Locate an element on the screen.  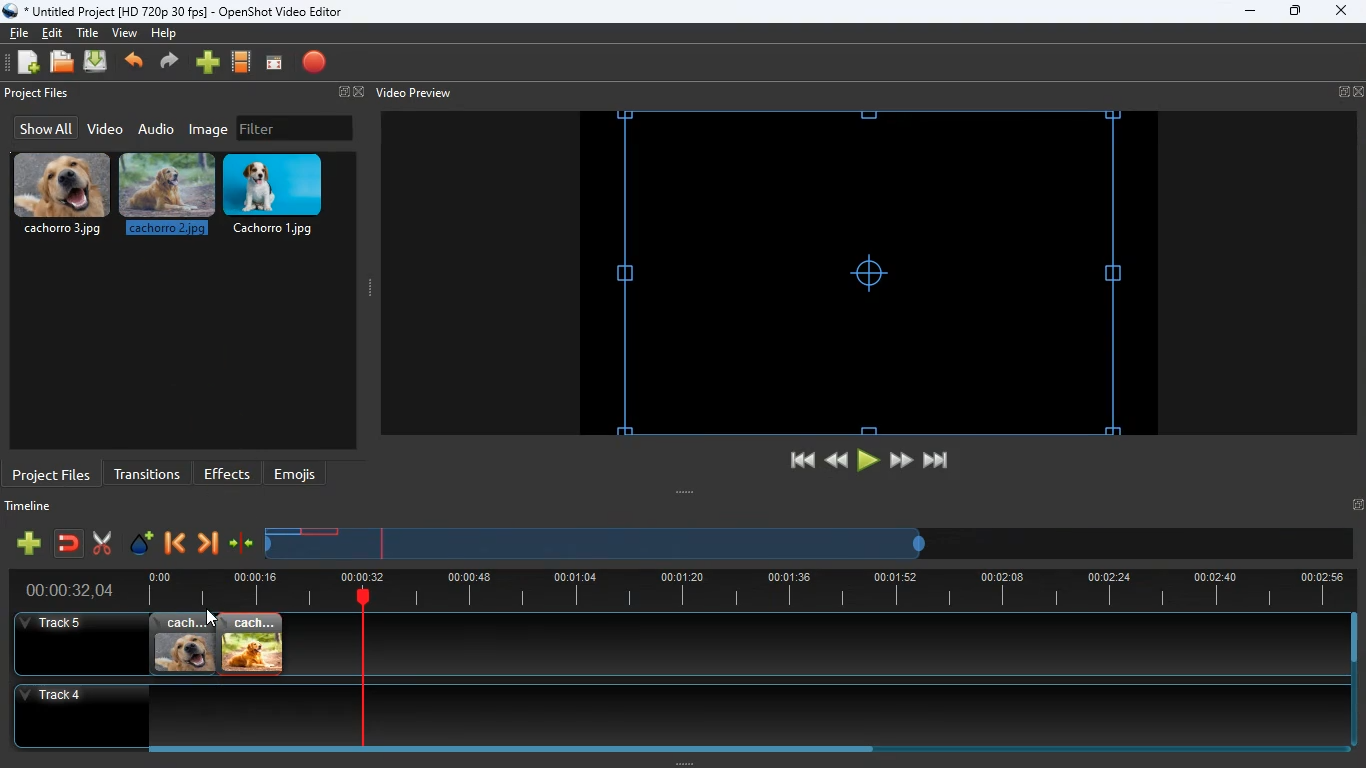
screen is located at coordinates (274, 64).